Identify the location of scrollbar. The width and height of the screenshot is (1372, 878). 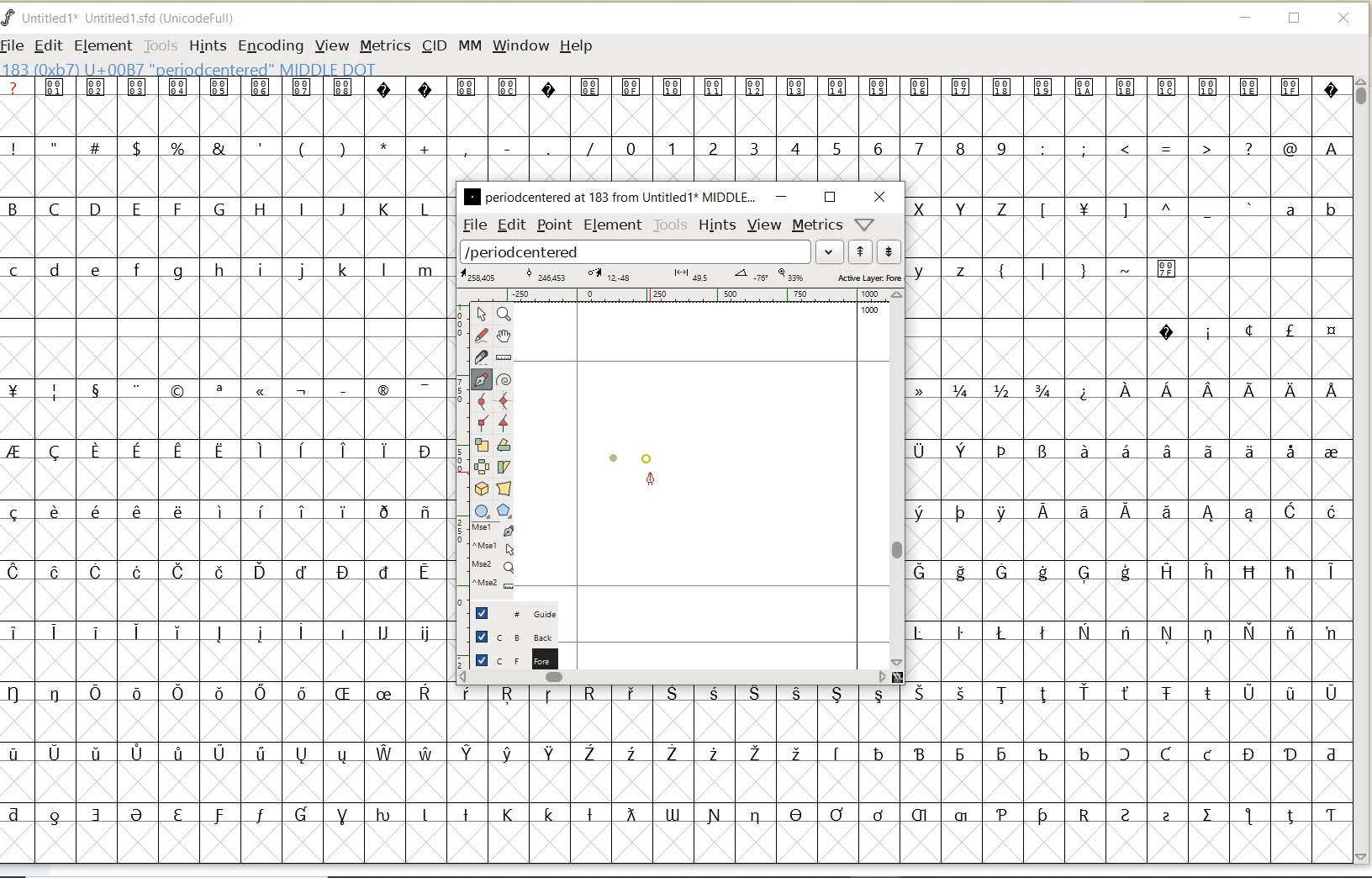
(899, 478).